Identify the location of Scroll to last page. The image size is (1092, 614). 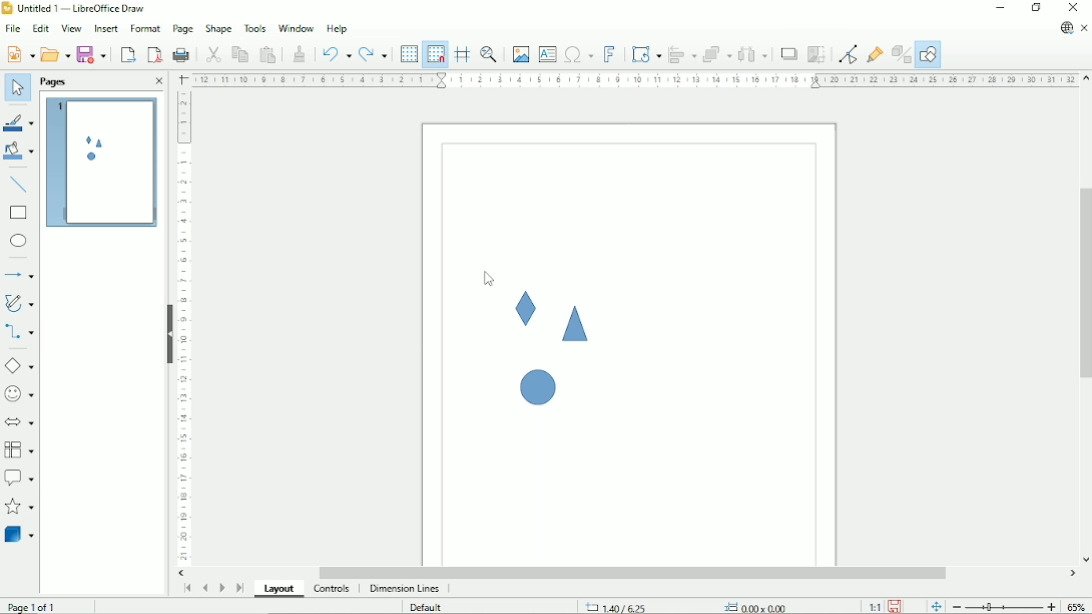
(240, 588).